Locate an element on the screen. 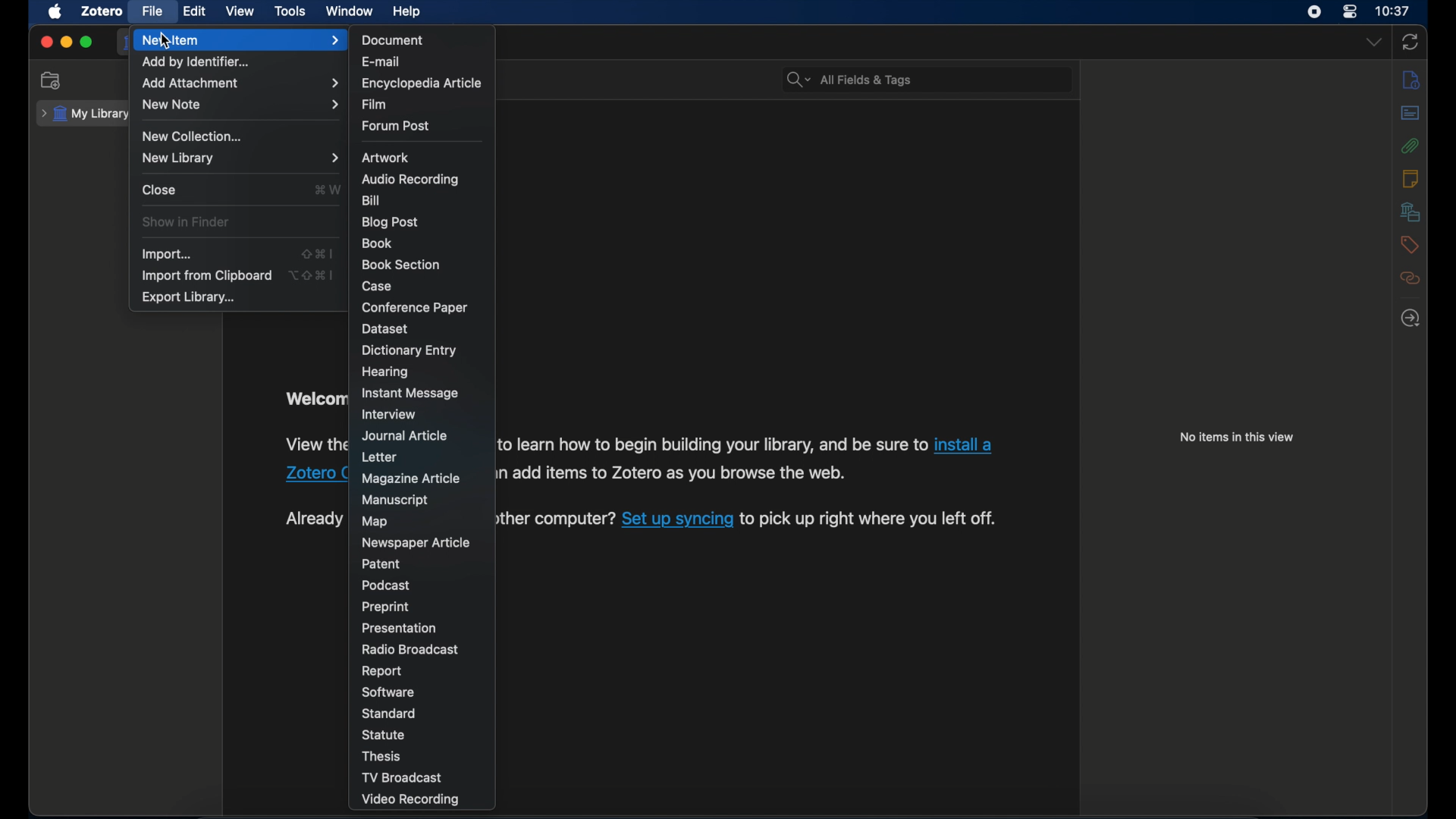 This screenshot has width=1456, height=819. software information is located at coordinates (557, 518).